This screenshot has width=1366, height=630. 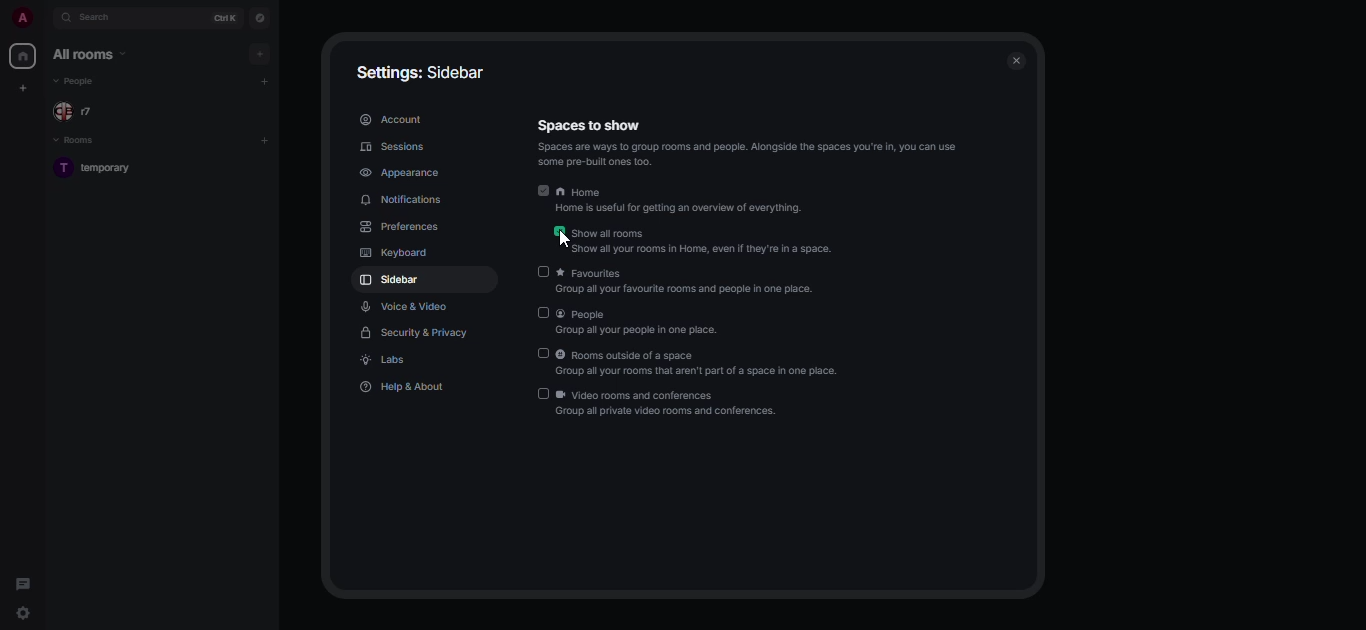 I want to click on add, so click(x=262, y=53).